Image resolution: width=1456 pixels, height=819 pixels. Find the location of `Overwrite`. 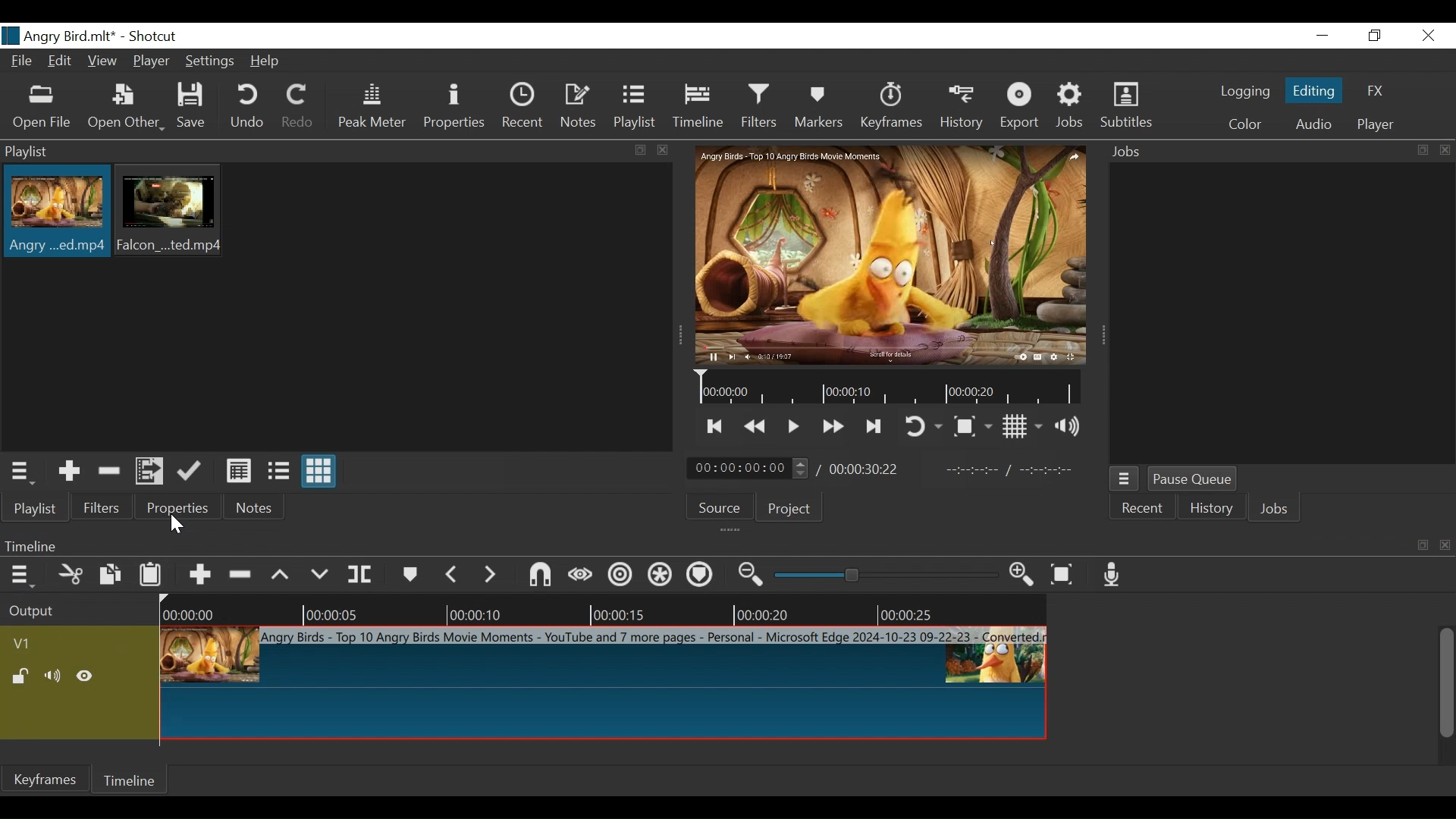

Overwrite is located at coordinates (324, 574).